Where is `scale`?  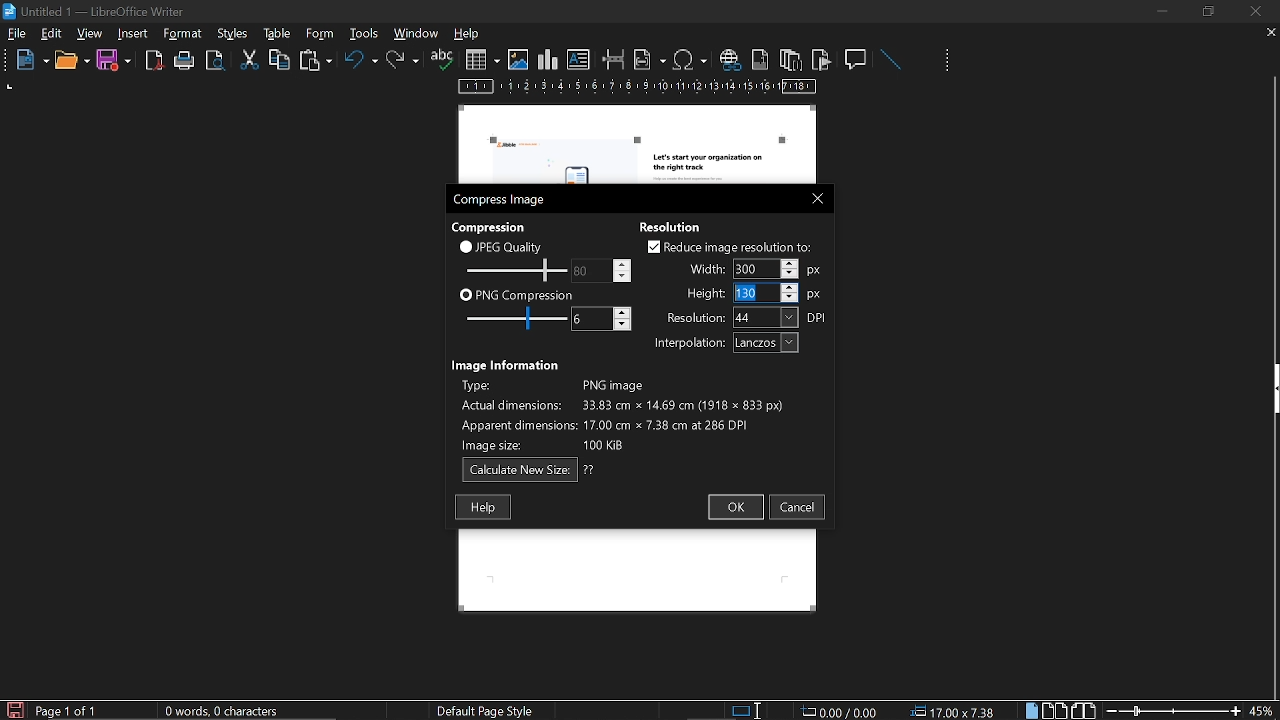 scale is located at coordinates (638, 88).